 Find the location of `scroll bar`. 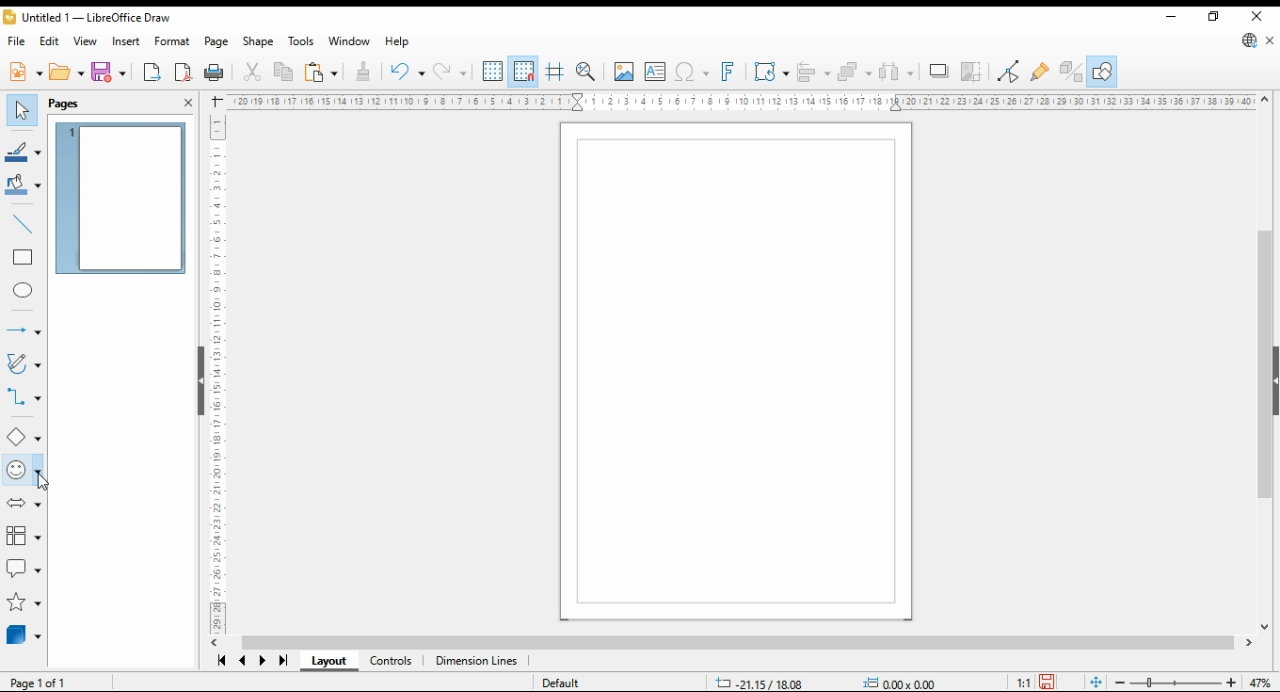

scroll bar is located at coordinates (735, 643).